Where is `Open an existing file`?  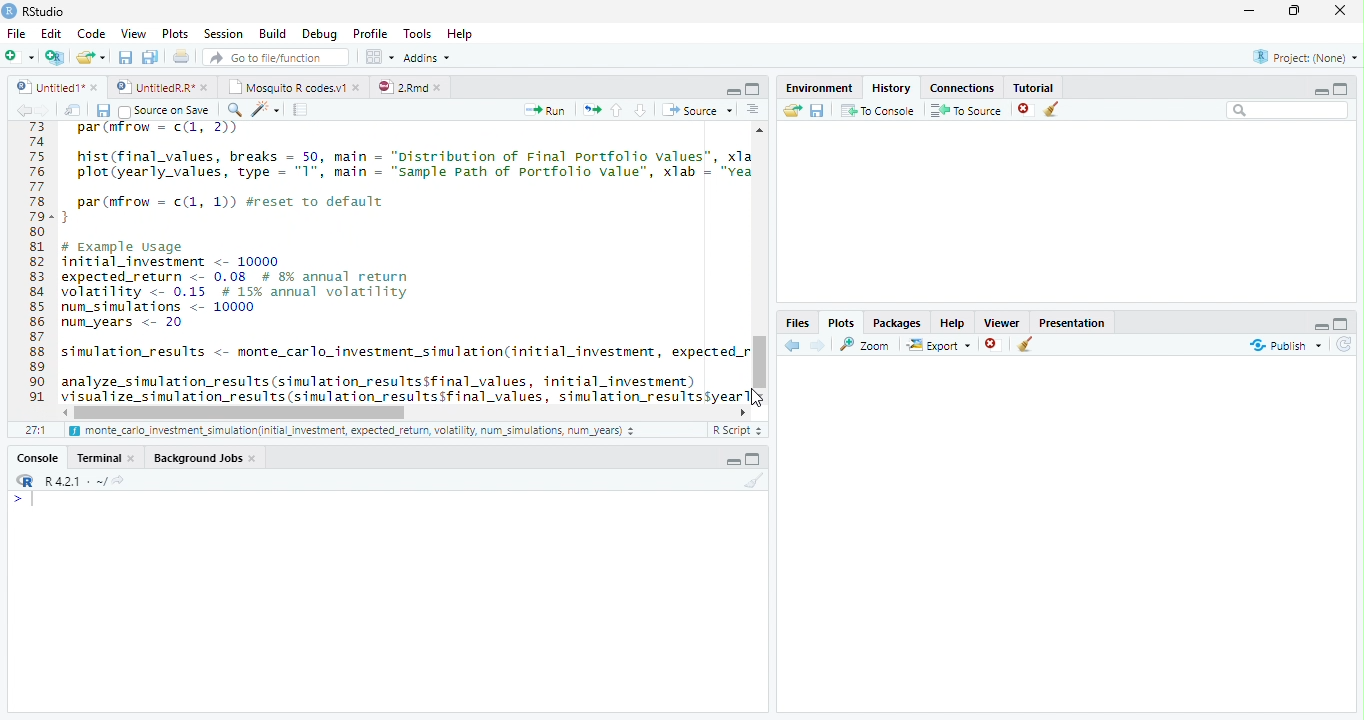 Open an existing file is located at coordinates (91, 56).